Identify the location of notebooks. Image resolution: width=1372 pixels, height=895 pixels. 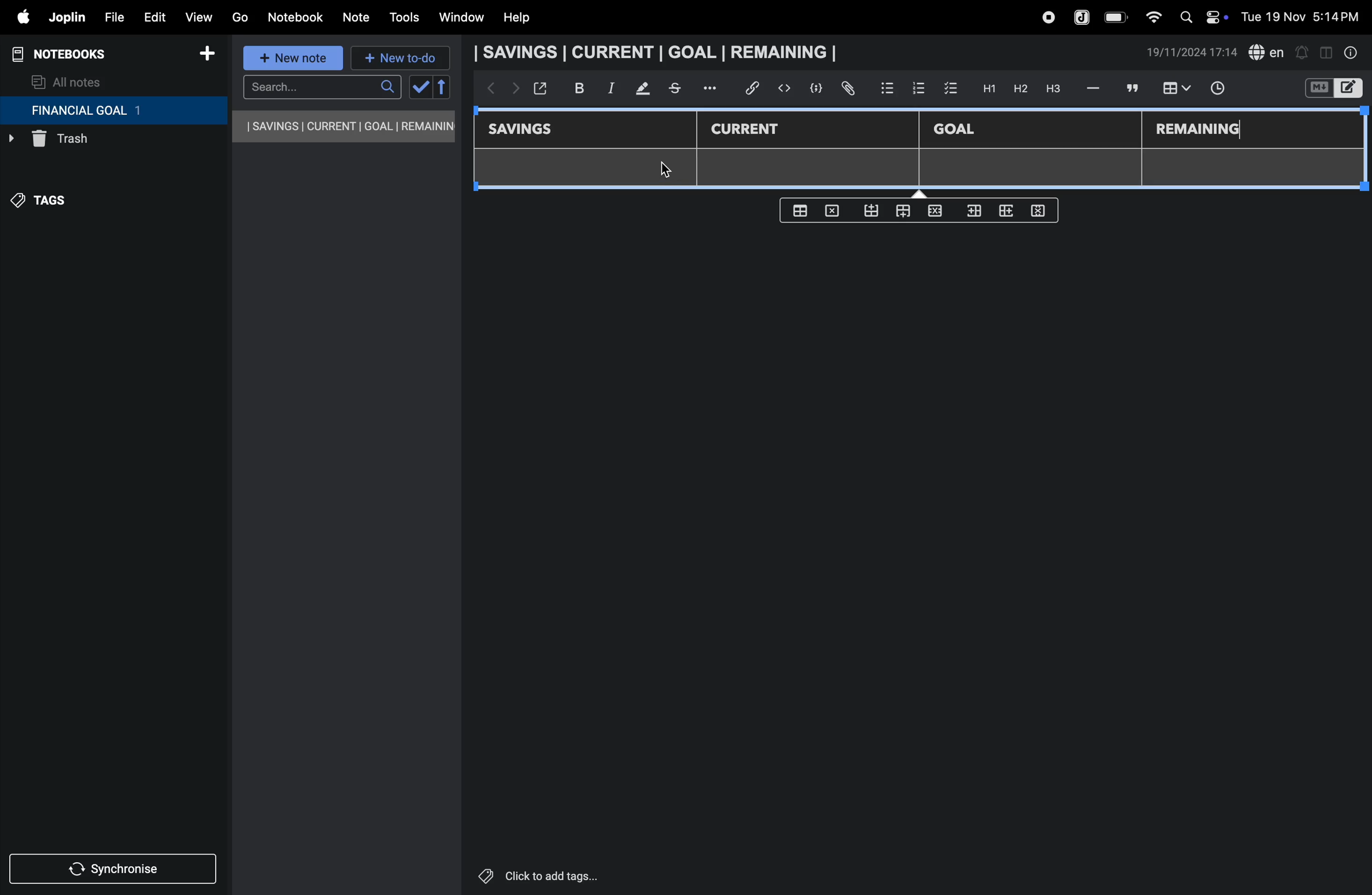
(69, 54).